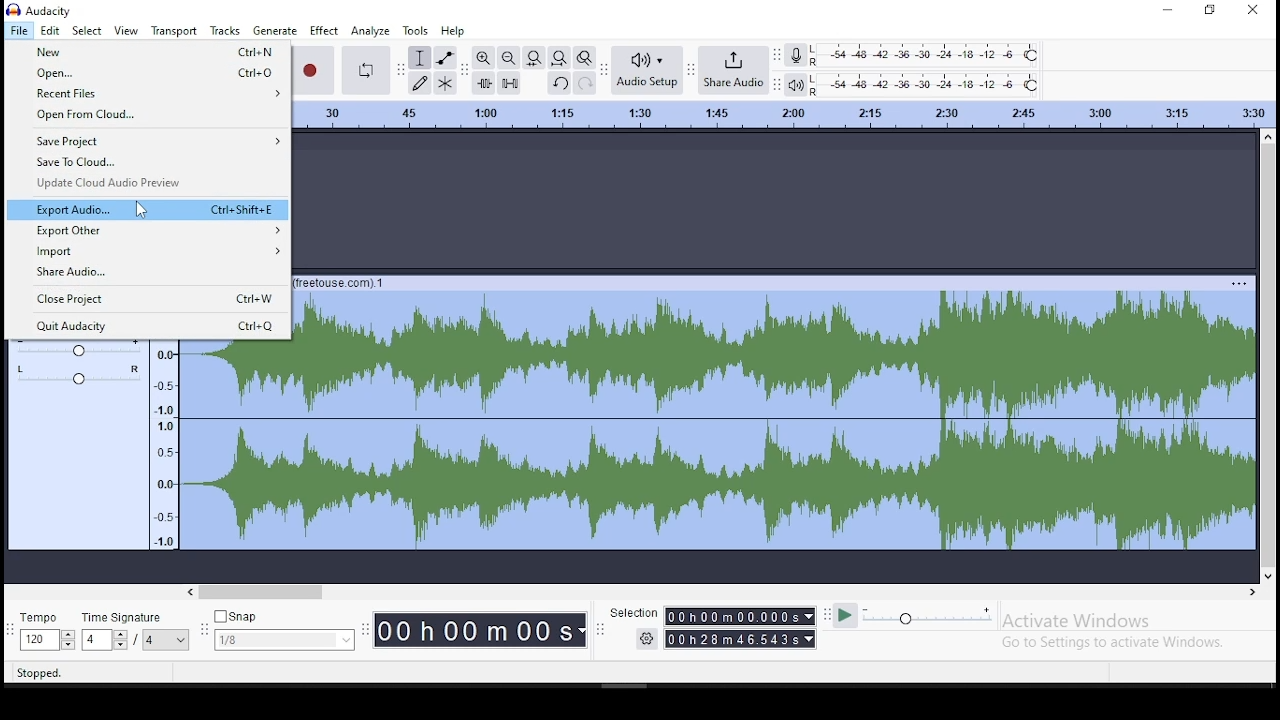 The image size is (1280, 720). Describe the element at coordinates (508, 58) in the screenshot. I see `zoom out` at that location.